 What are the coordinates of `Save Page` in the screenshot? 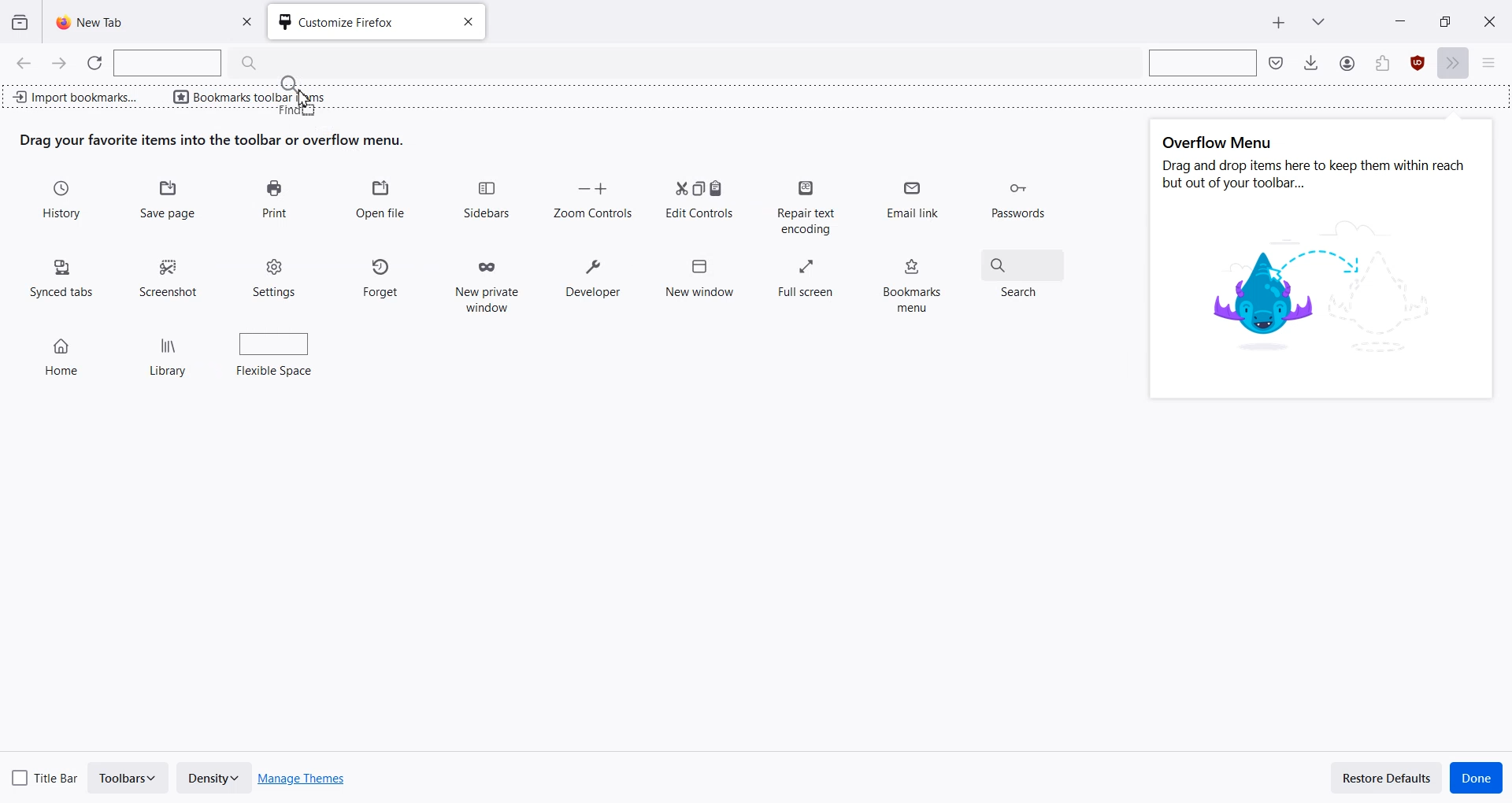 It's located at (170, 201).